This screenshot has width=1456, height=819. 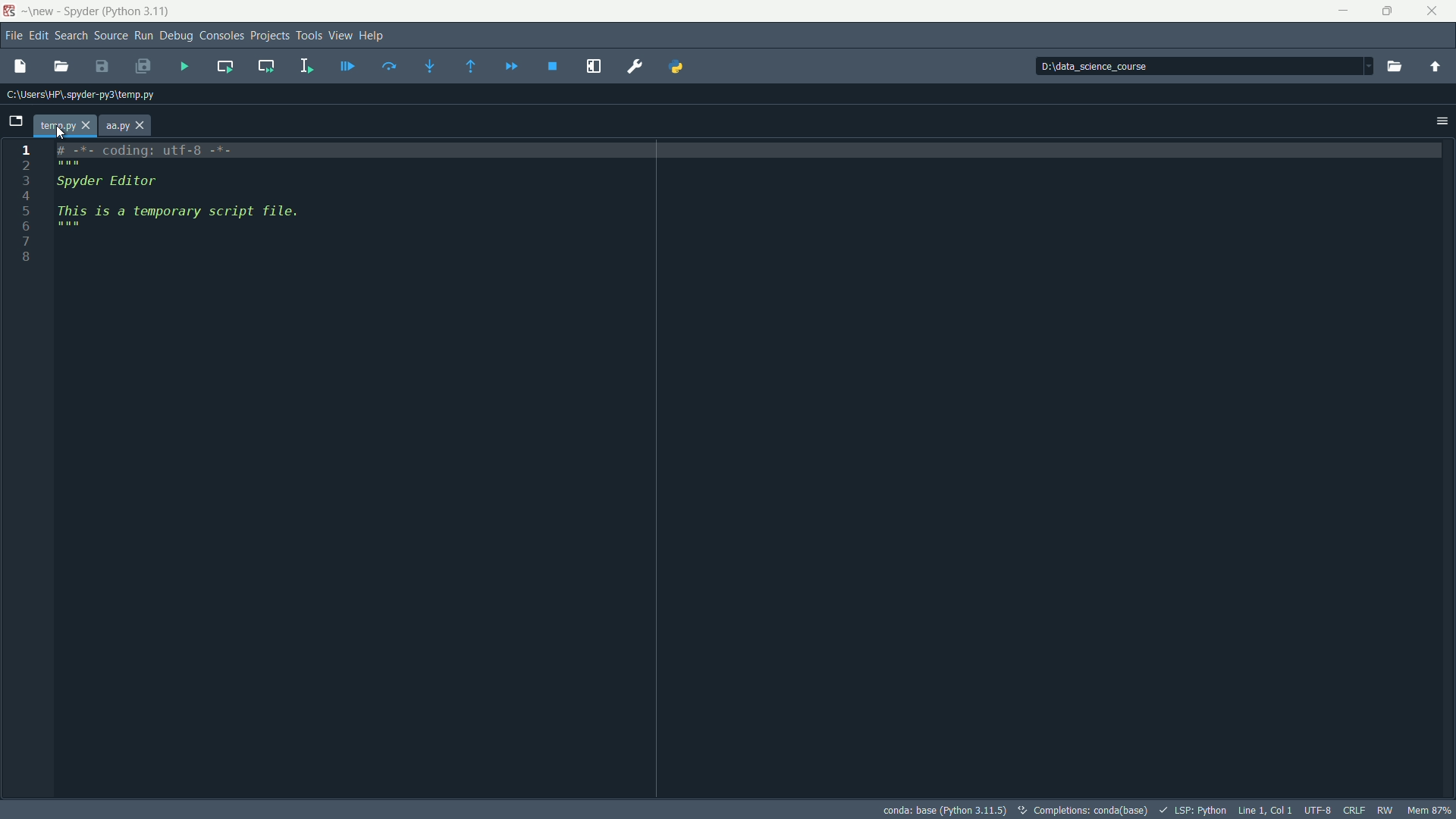 I want to click on run menu, so click(x=143, y=35).